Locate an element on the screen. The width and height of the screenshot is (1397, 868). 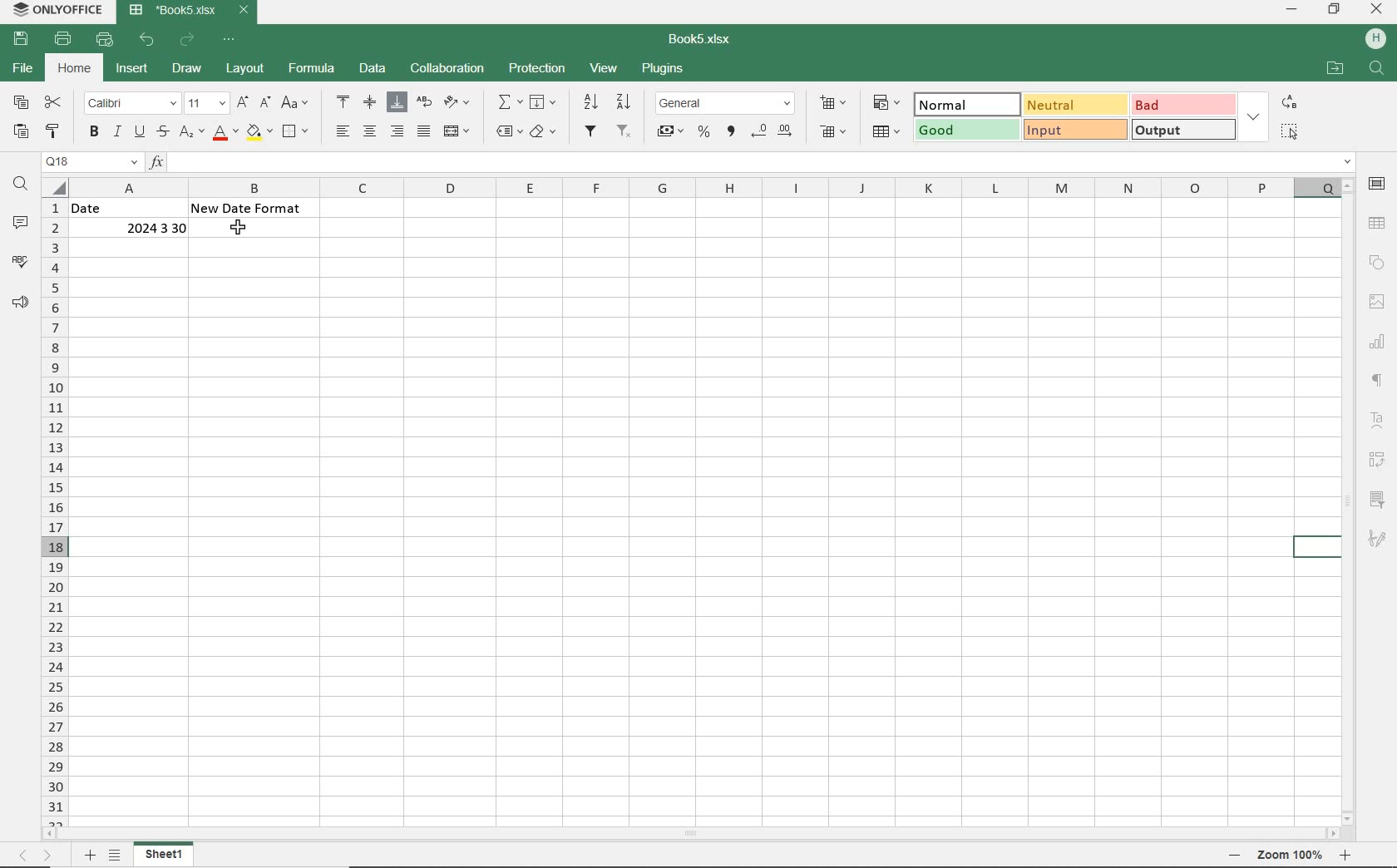
GOOD is located at coordinates (964, 131).